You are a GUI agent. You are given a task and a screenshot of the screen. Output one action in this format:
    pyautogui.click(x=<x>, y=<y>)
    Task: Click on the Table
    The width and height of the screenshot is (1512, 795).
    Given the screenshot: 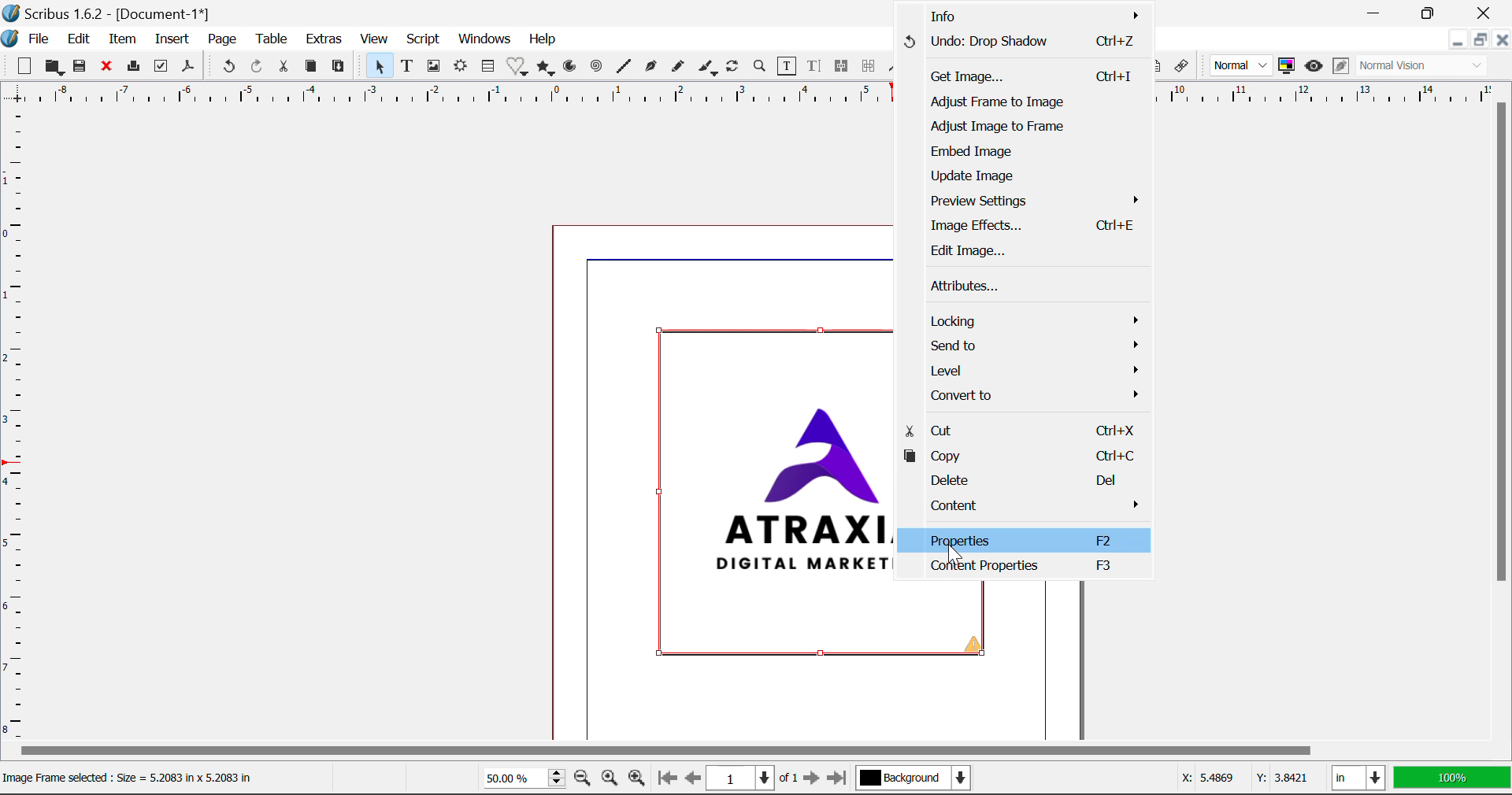 What is the action you would take?
    pyautogui.click(x=273, y=39)
    